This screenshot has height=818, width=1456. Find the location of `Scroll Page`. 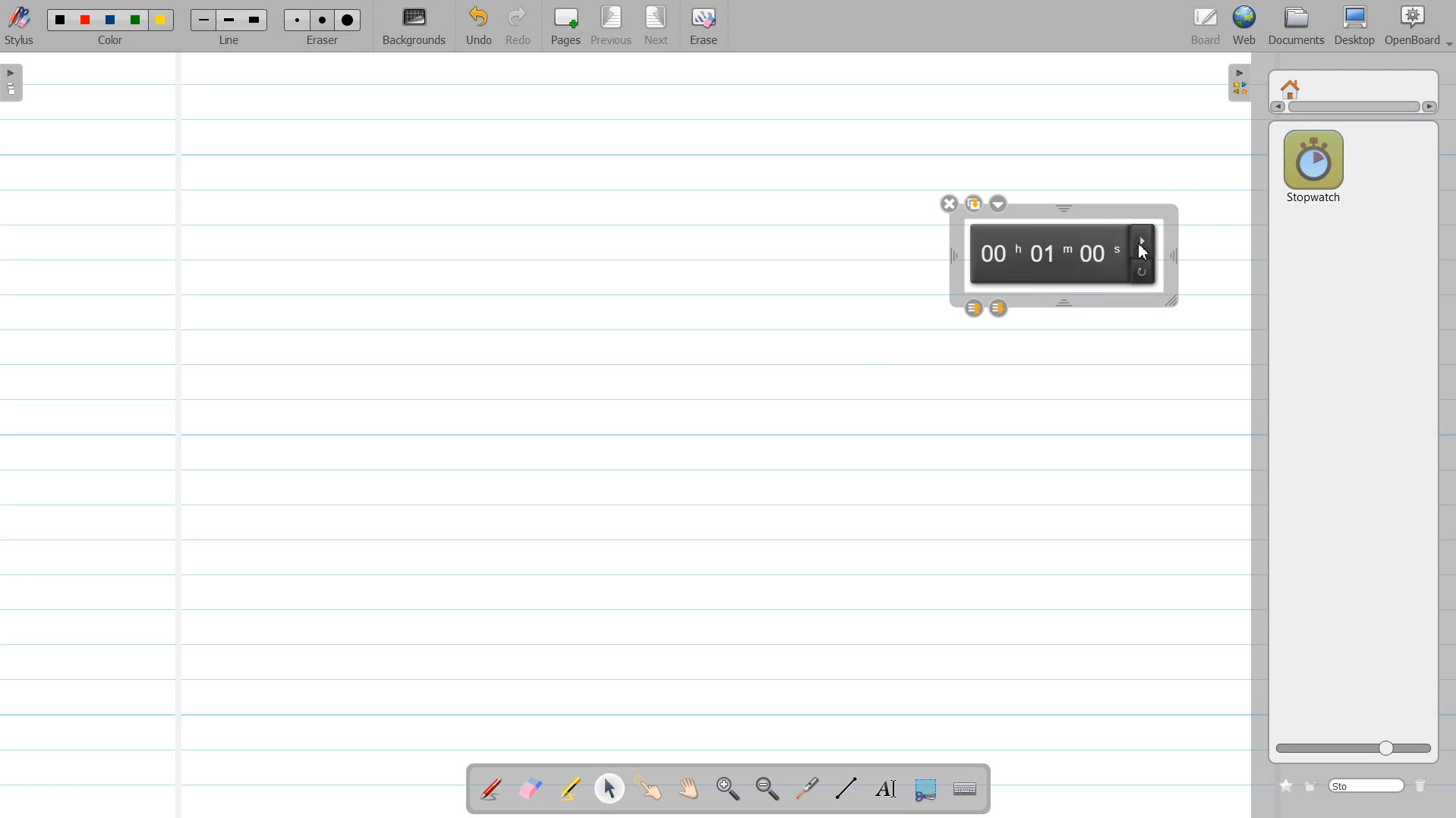

Scroll Page is located at coordinates (692, 789).